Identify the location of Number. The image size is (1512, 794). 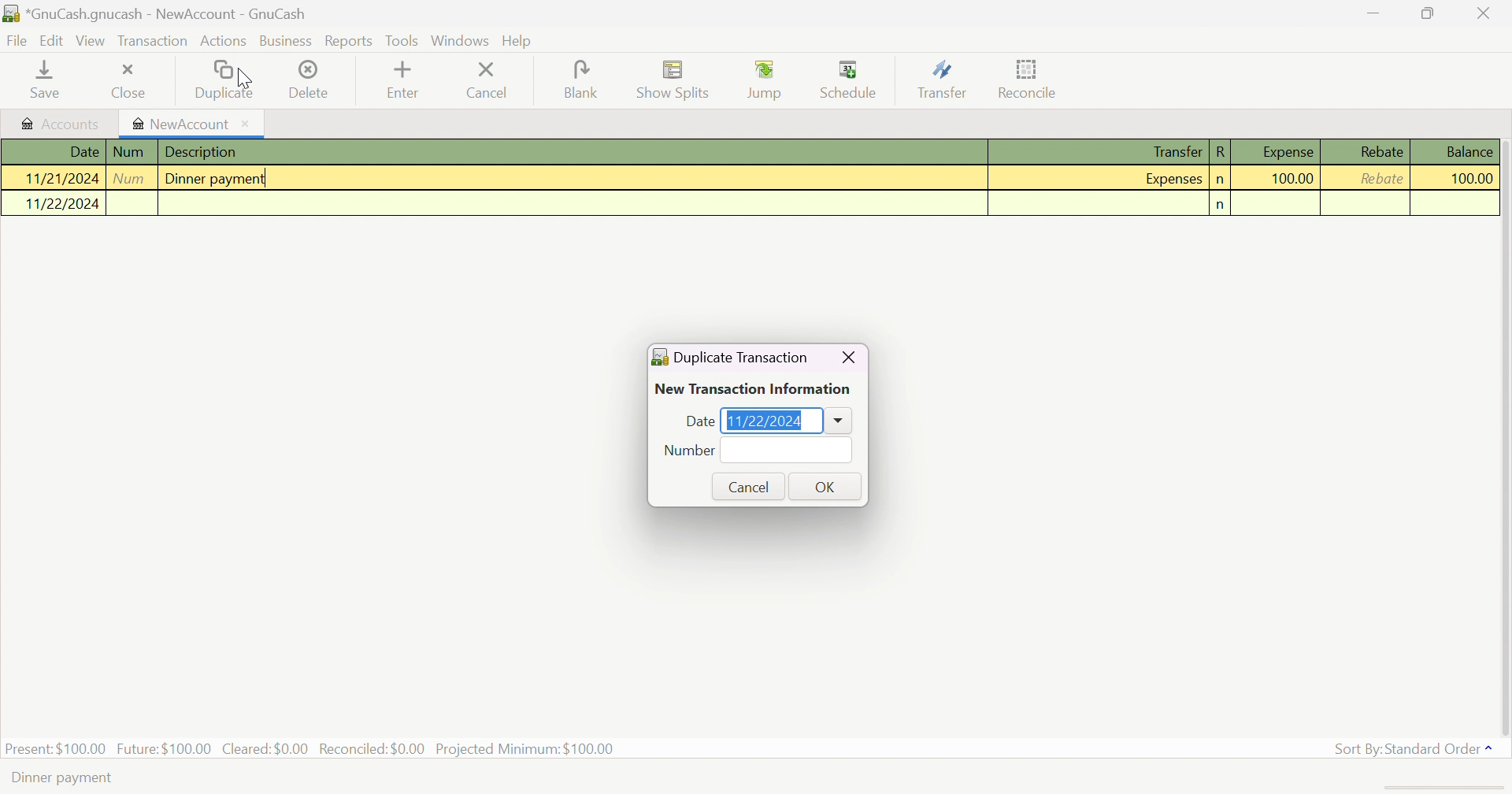
(689, 451).